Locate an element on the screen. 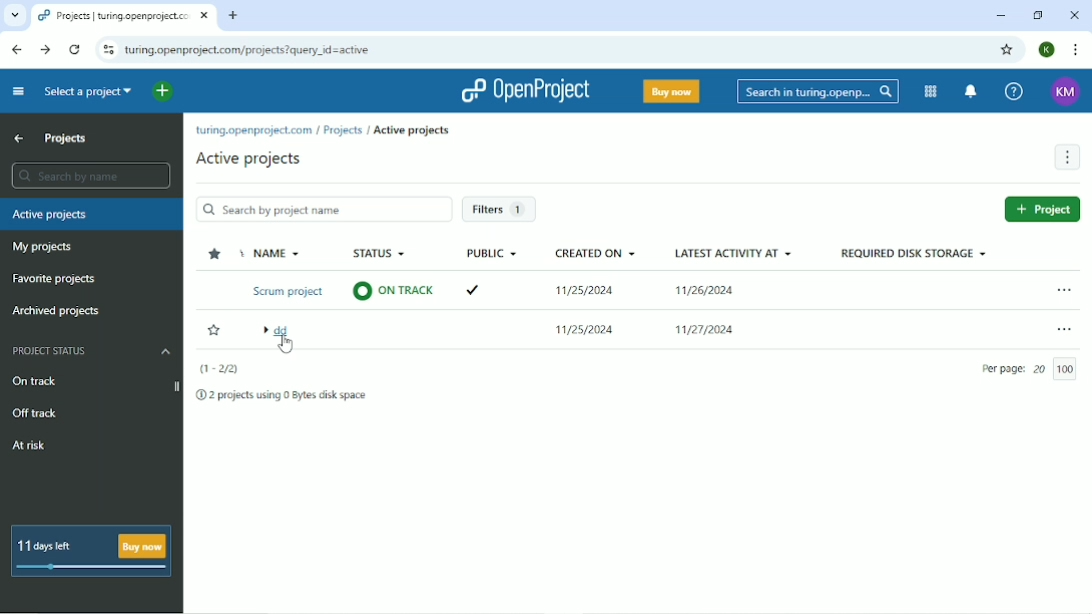 Image resolution: width=1092 pixels, height=614 pixels. 11/25/2024 is located at coordinates (590, 290).